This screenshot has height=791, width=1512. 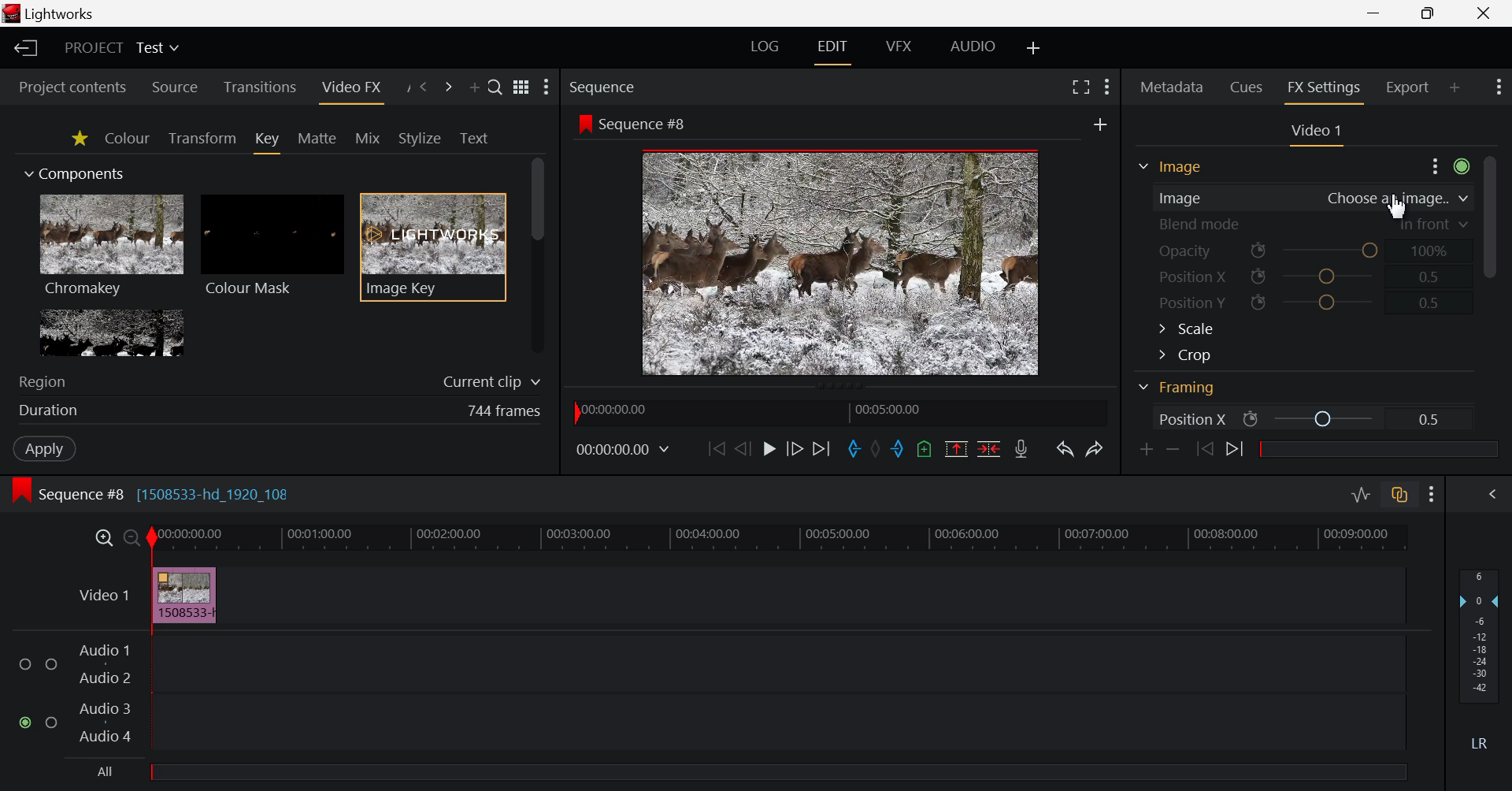 I want to click on icon, so click(x=1259, y=251).